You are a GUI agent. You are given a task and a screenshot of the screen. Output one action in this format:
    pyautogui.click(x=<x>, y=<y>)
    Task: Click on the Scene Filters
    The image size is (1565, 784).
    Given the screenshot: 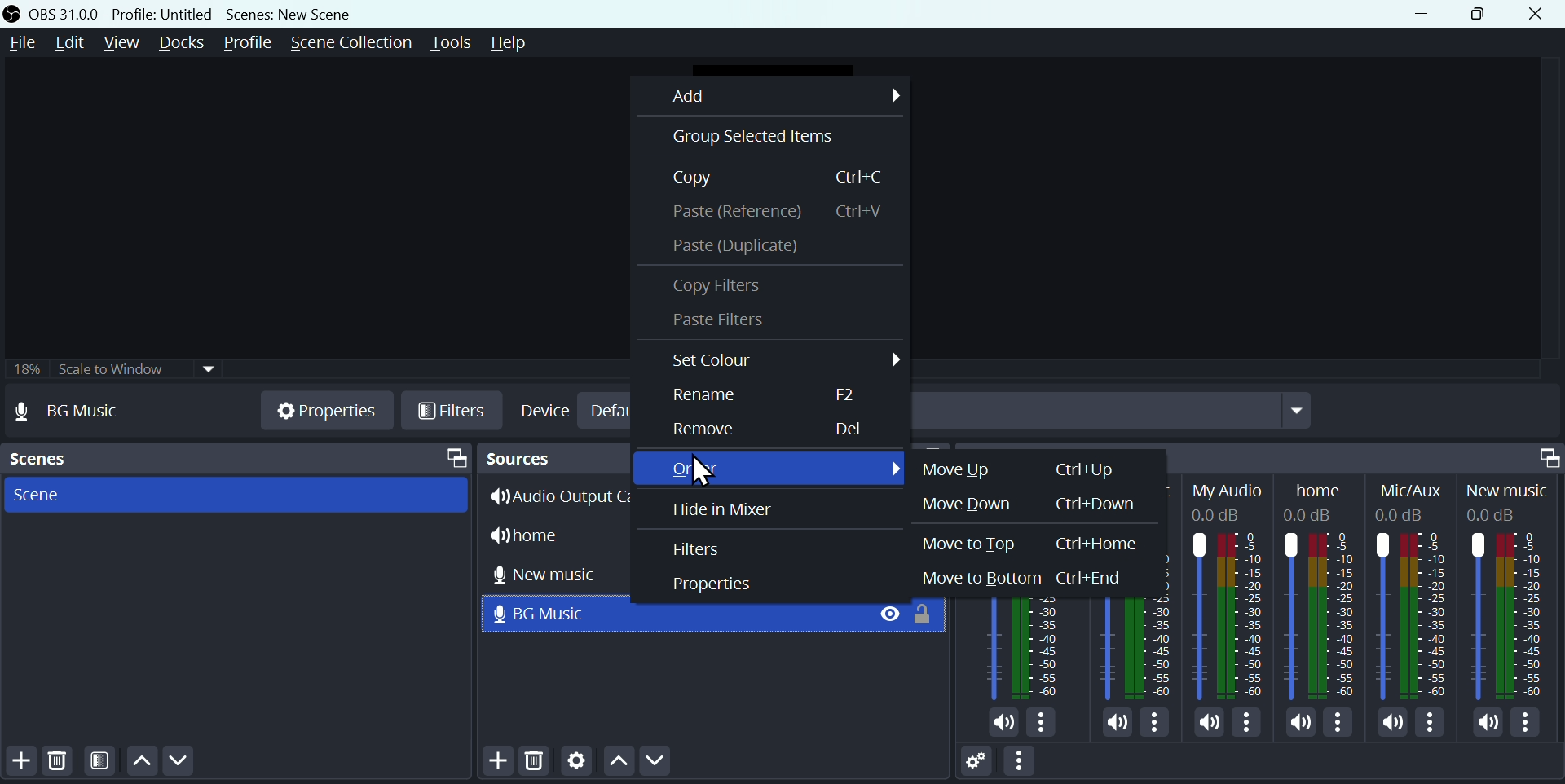 What is the action you would take?
    pyautogui.click(x=105, y=762)
    